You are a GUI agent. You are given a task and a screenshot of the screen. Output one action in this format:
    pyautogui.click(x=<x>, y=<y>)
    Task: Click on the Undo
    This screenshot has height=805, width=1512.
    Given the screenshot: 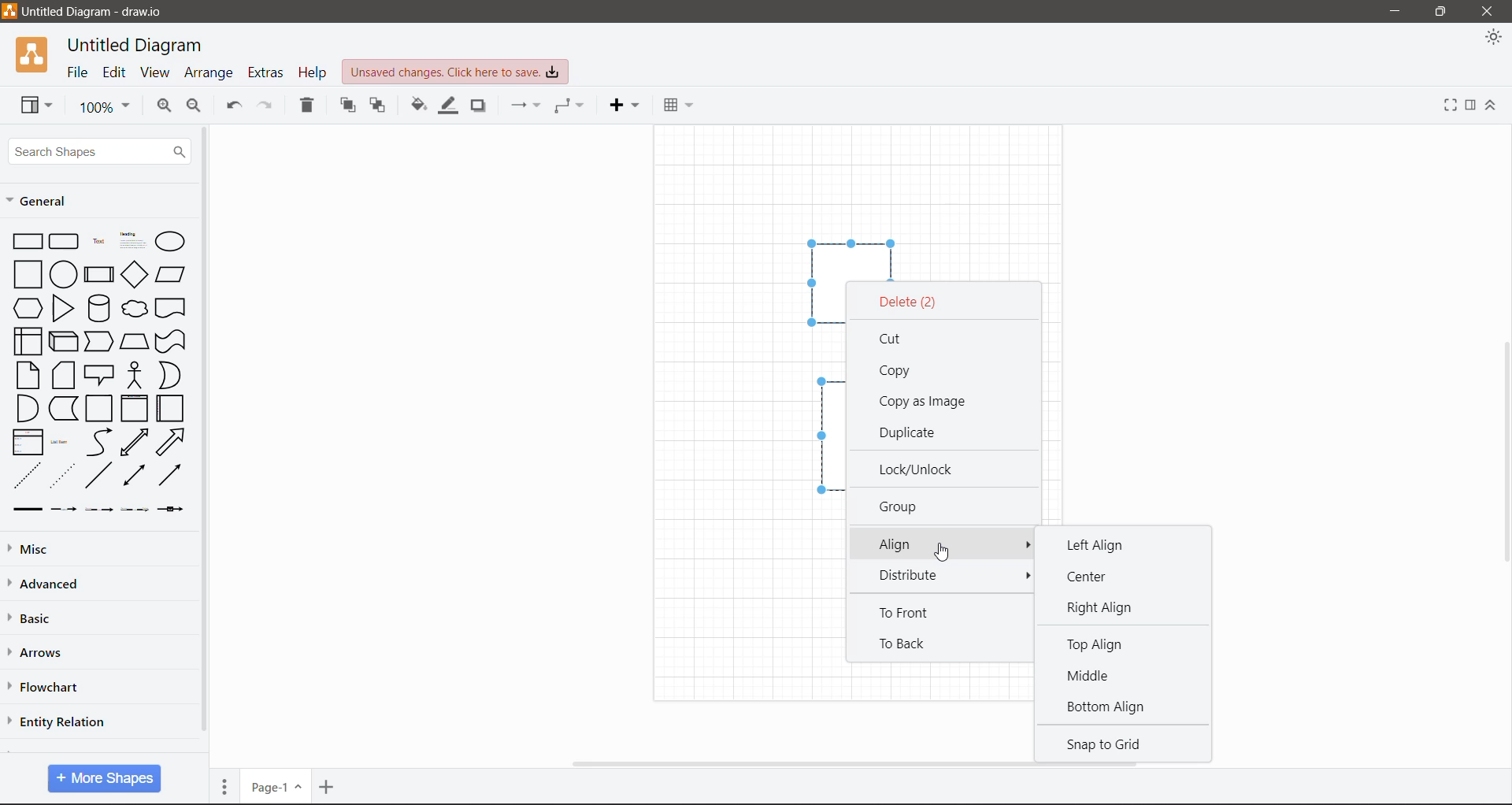 What is the action you would take?
    pyautogui.click(x=234, y=106)
    